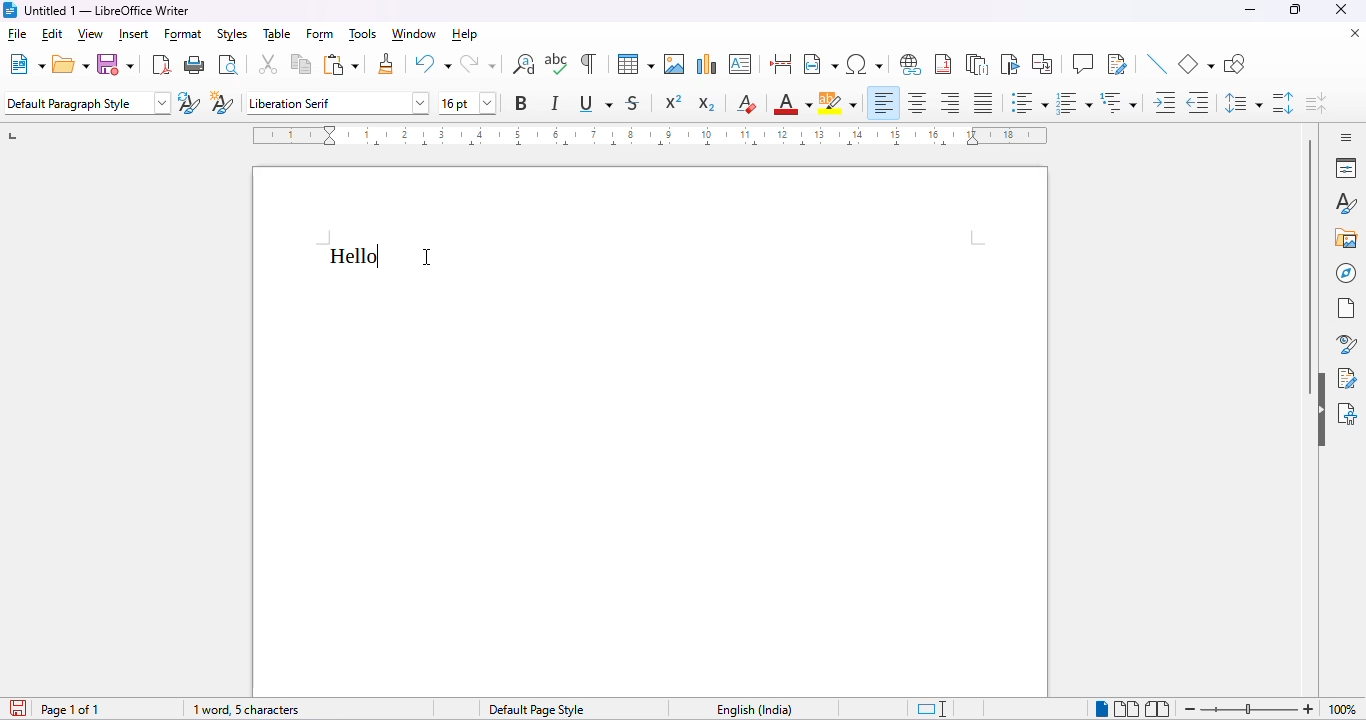 Image resolution: width=1366 pixels, height=720 pixels. What do you see at coordinates (116, 63) in the screenshot?
I see `save` at bounding box center [116, 63].